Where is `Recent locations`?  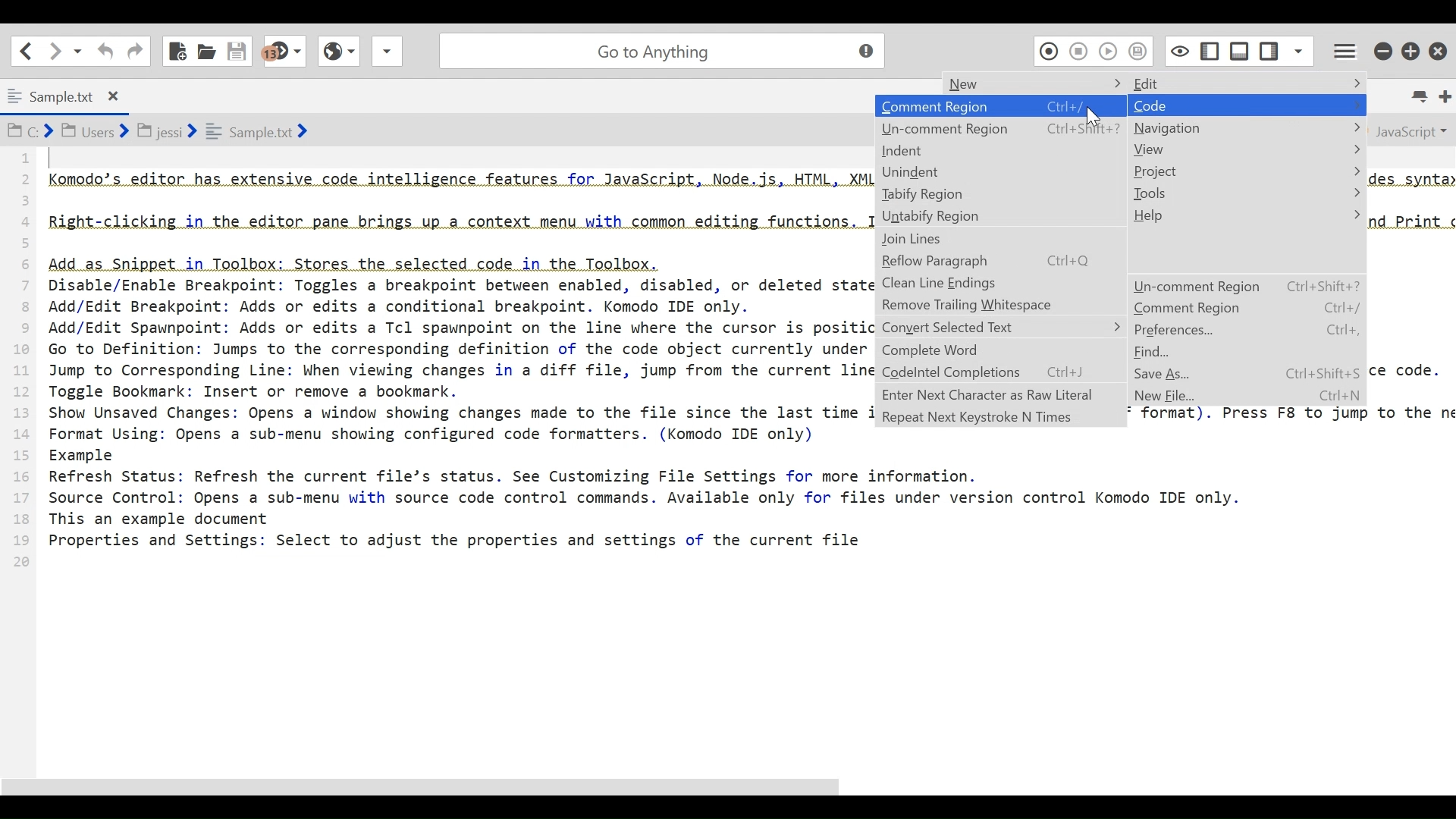 Recent locations is located at coordinates (78, 52).